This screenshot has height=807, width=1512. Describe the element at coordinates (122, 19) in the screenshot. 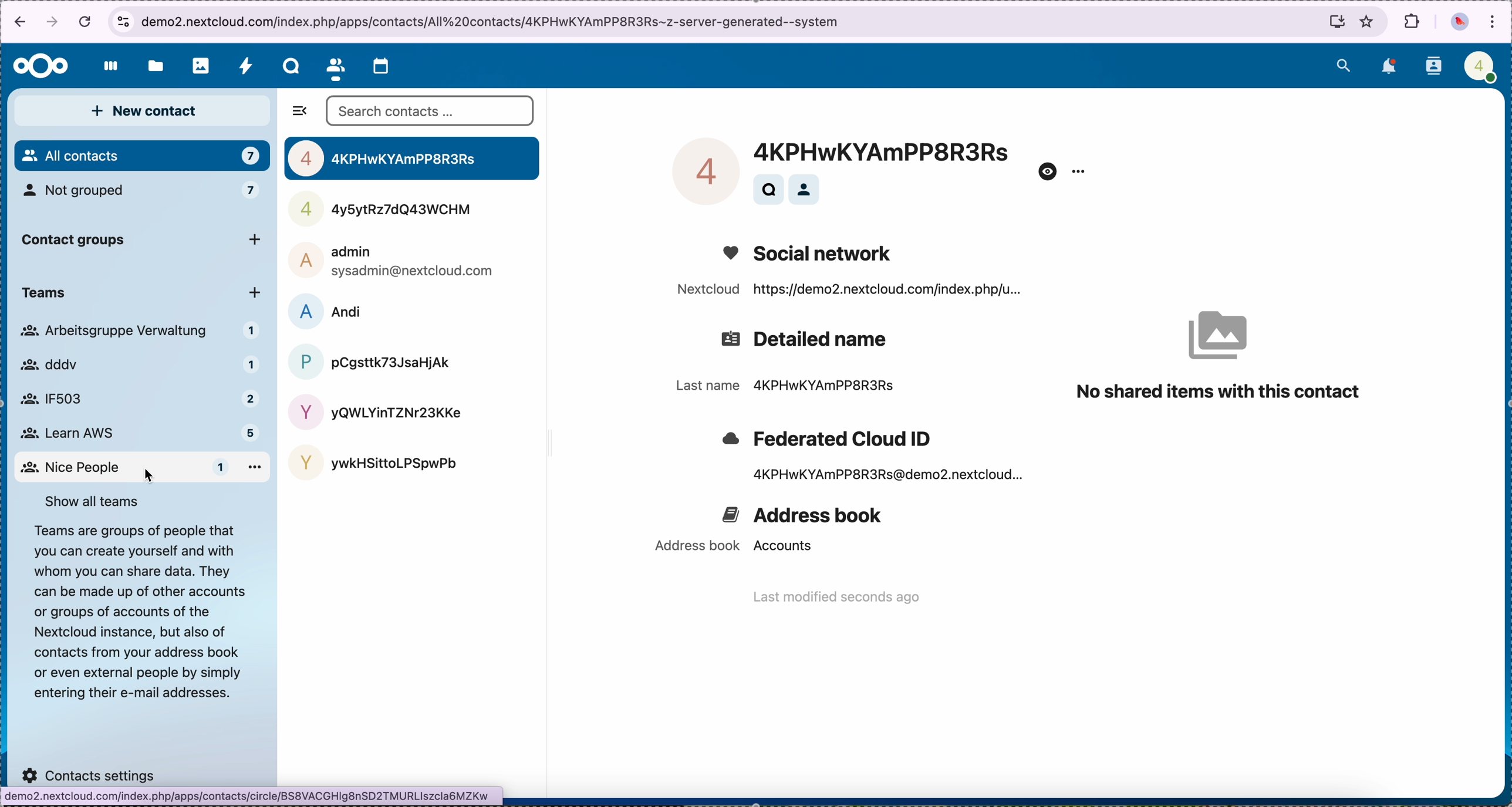

I see `controls` at that location.